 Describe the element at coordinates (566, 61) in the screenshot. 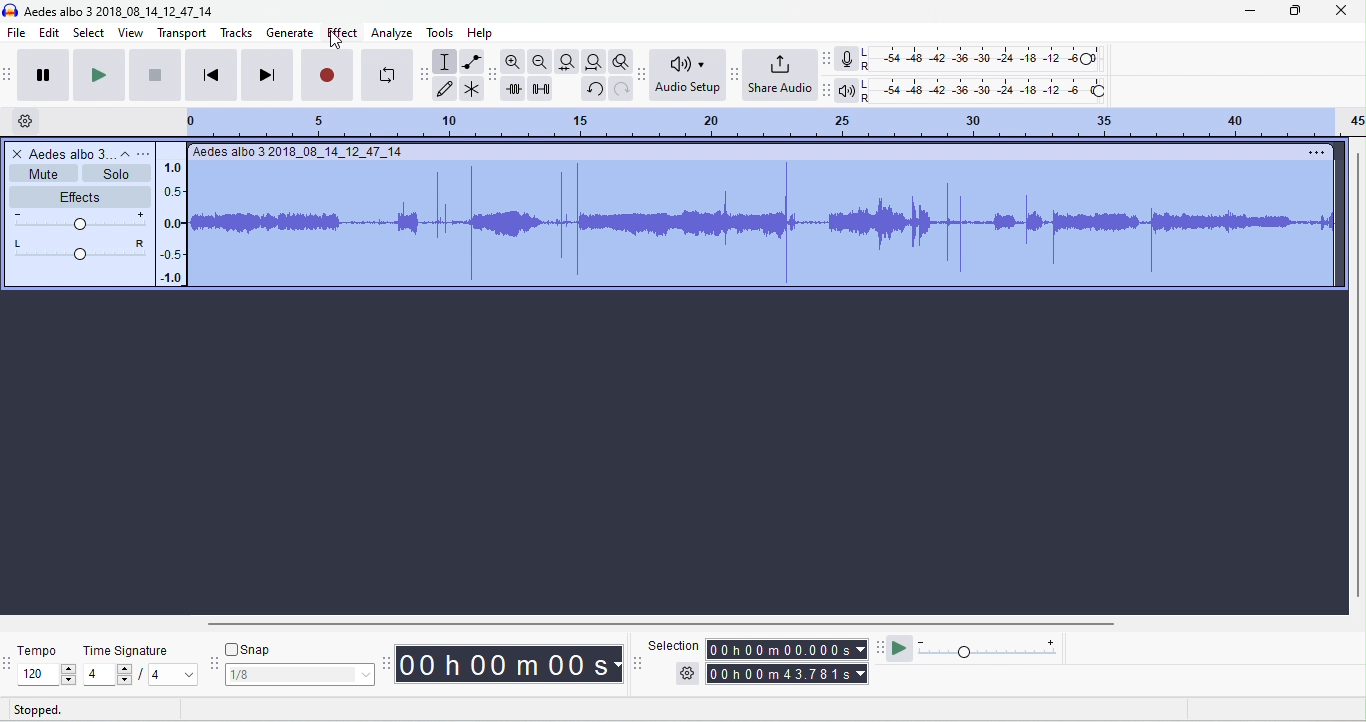

I see `fit track to width` at that location.